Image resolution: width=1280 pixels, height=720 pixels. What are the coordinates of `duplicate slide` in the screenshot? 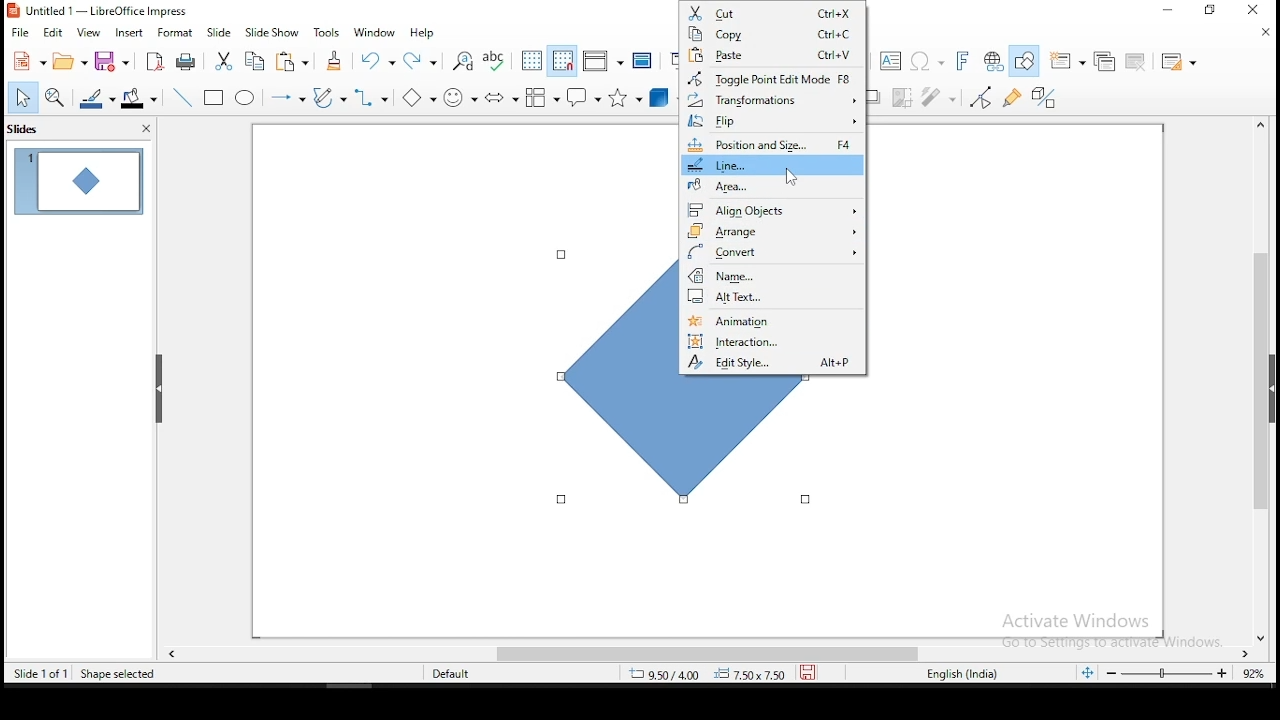 It's located at (1099, 62).